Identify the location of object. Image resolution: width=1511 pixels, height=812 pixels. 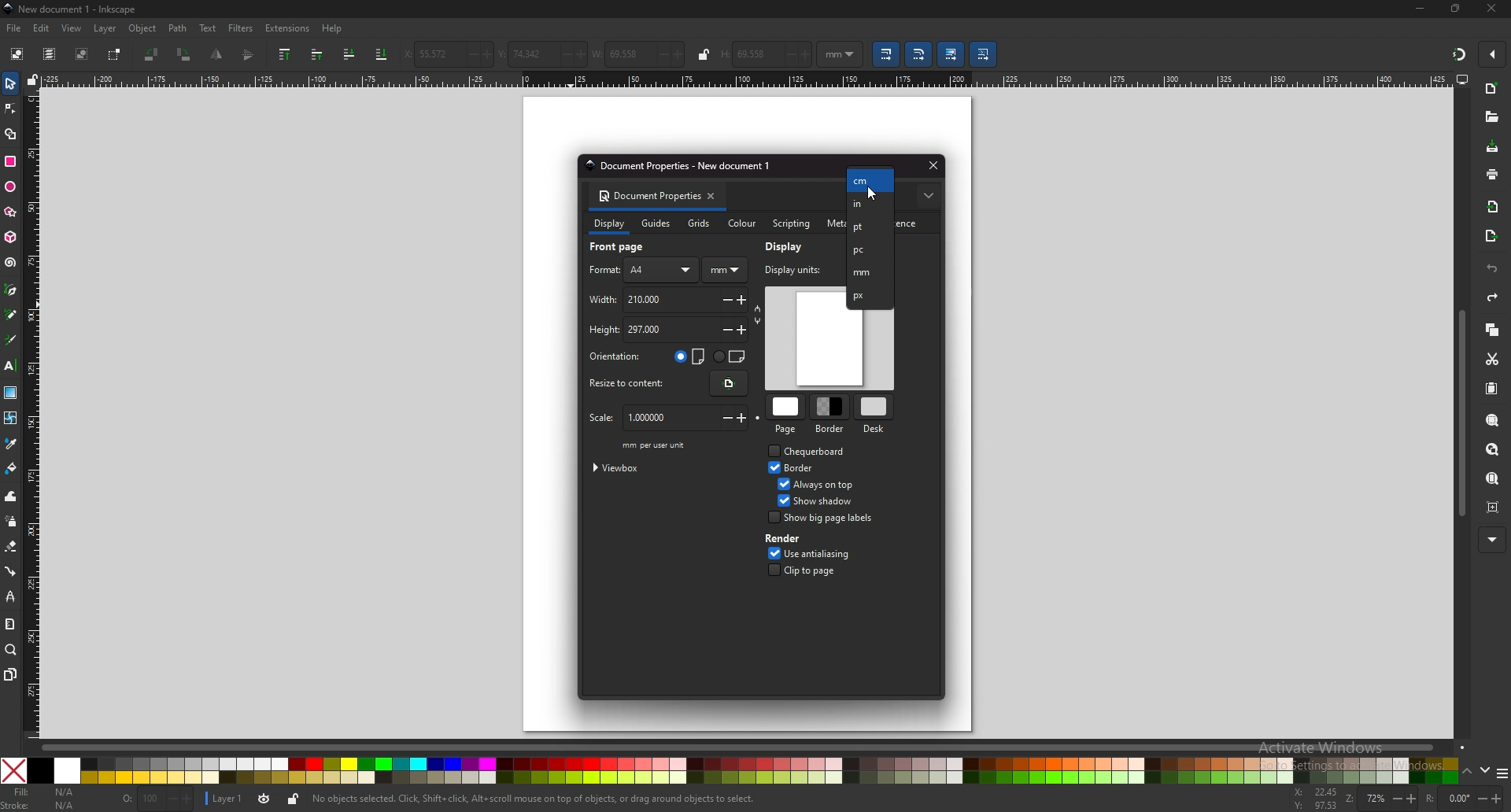
(142, 29).